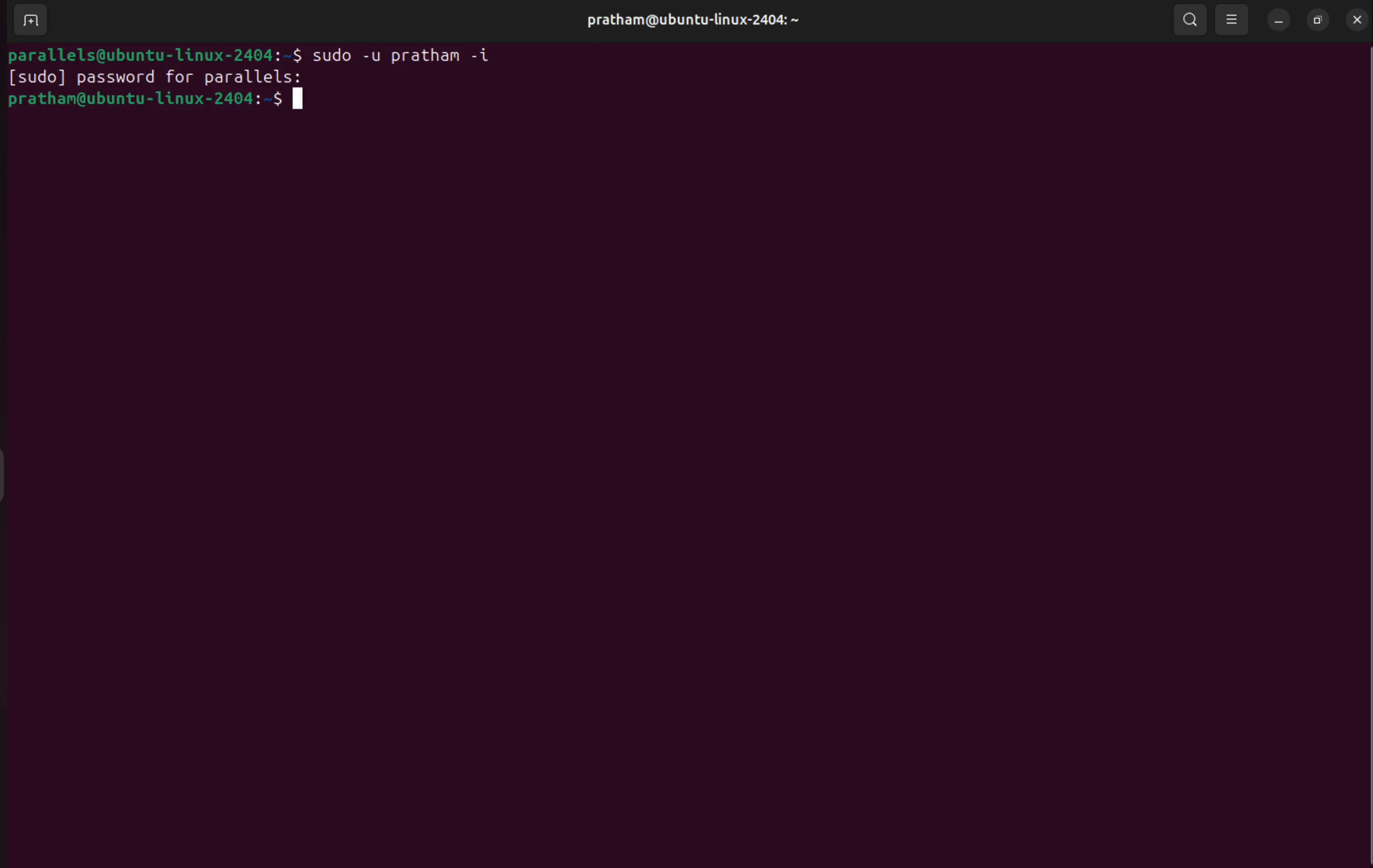  What do you see at coordinates (1235, 17) in the screenshot?
I see `view options` at bounding box center [1235, 17].